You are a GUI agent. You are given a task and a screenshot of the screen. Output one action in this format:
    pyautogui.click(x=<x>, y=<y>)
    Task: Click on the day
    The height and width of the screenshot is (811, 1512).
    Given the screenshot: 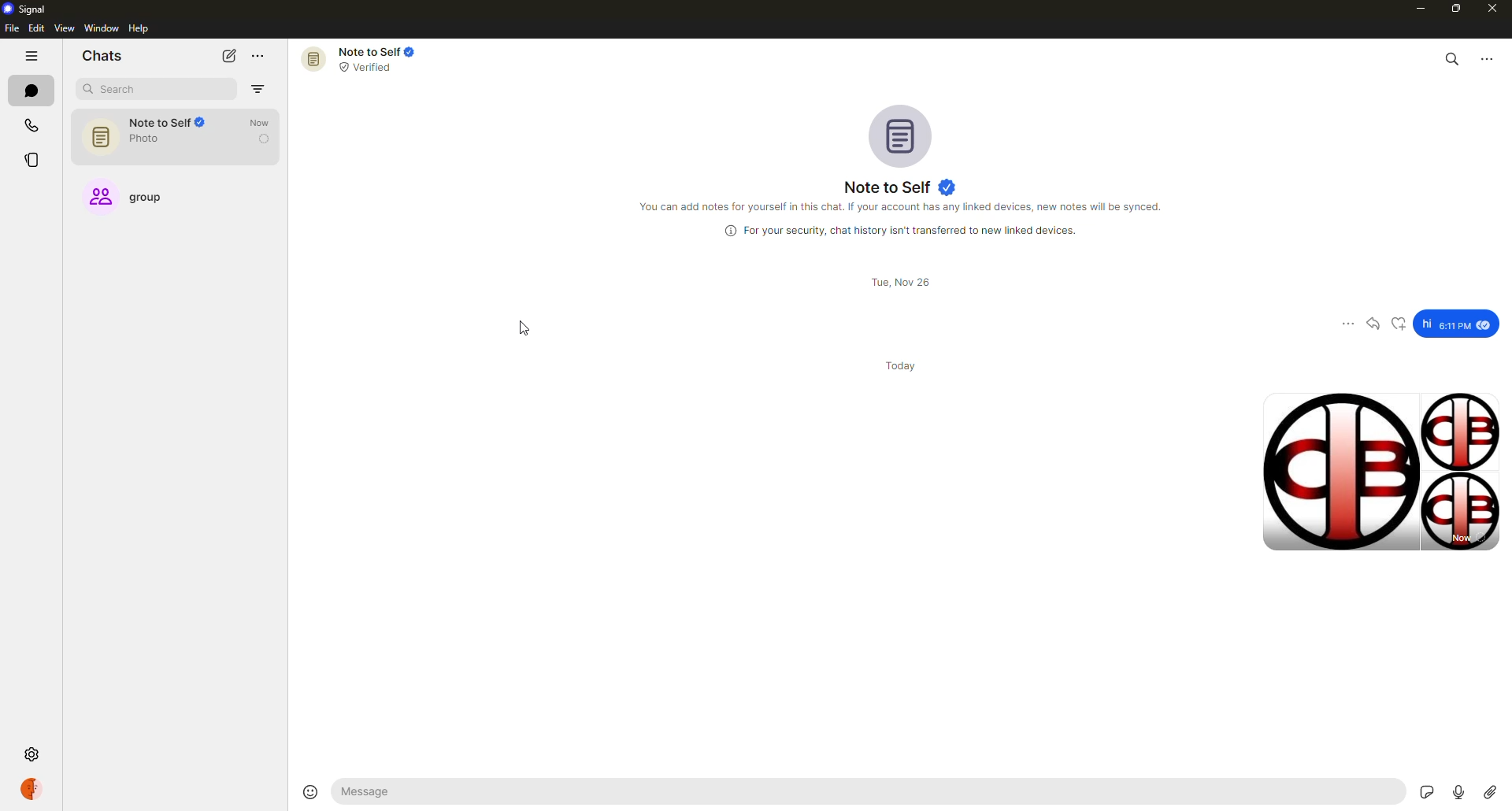 What is the action you would take?
    pyautogui.click(x=904, y=367)
    